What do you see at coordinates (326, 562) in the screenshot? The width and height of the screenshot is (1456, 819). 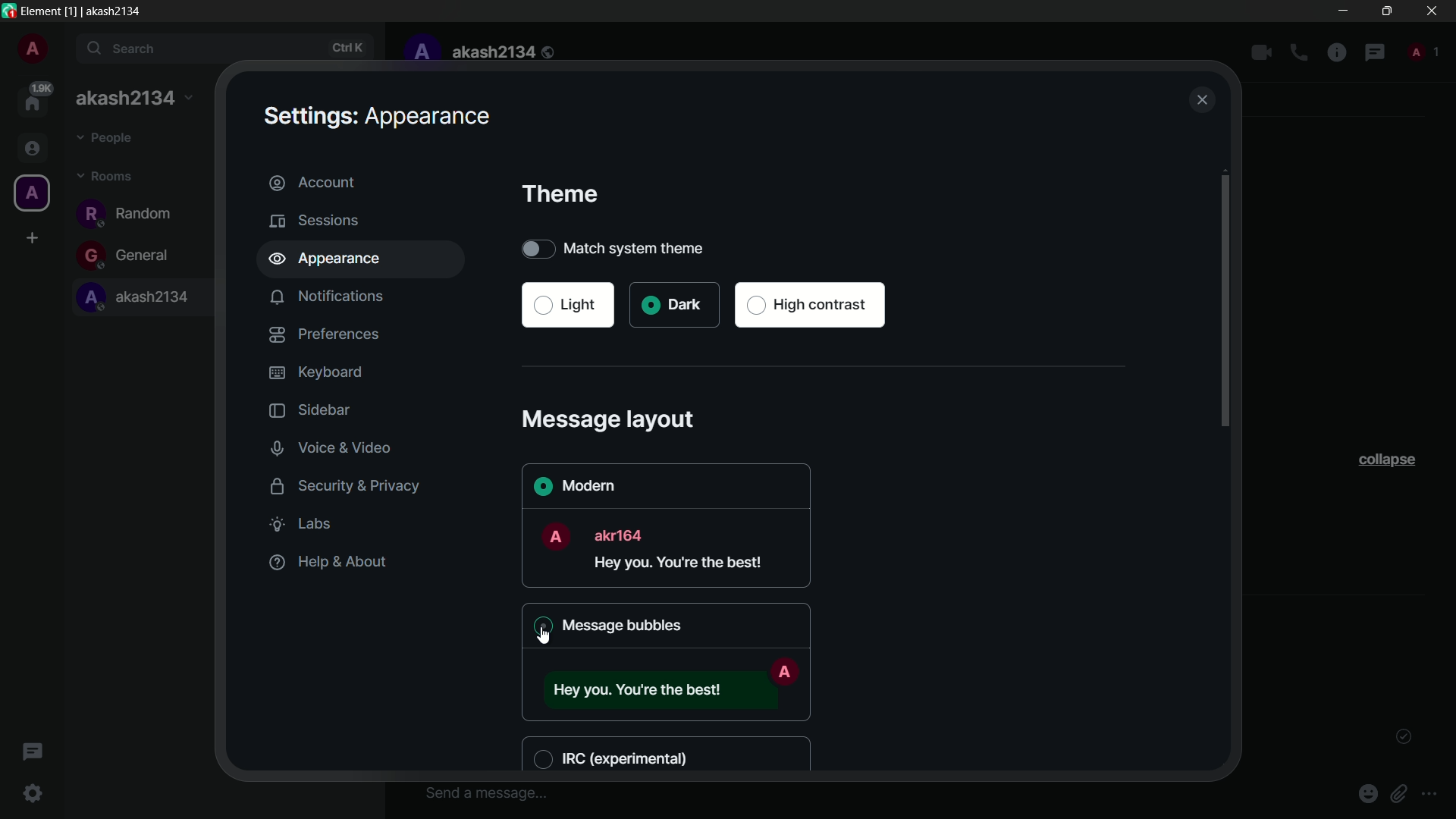 I see `help and about` at bounding box center [326, 562].